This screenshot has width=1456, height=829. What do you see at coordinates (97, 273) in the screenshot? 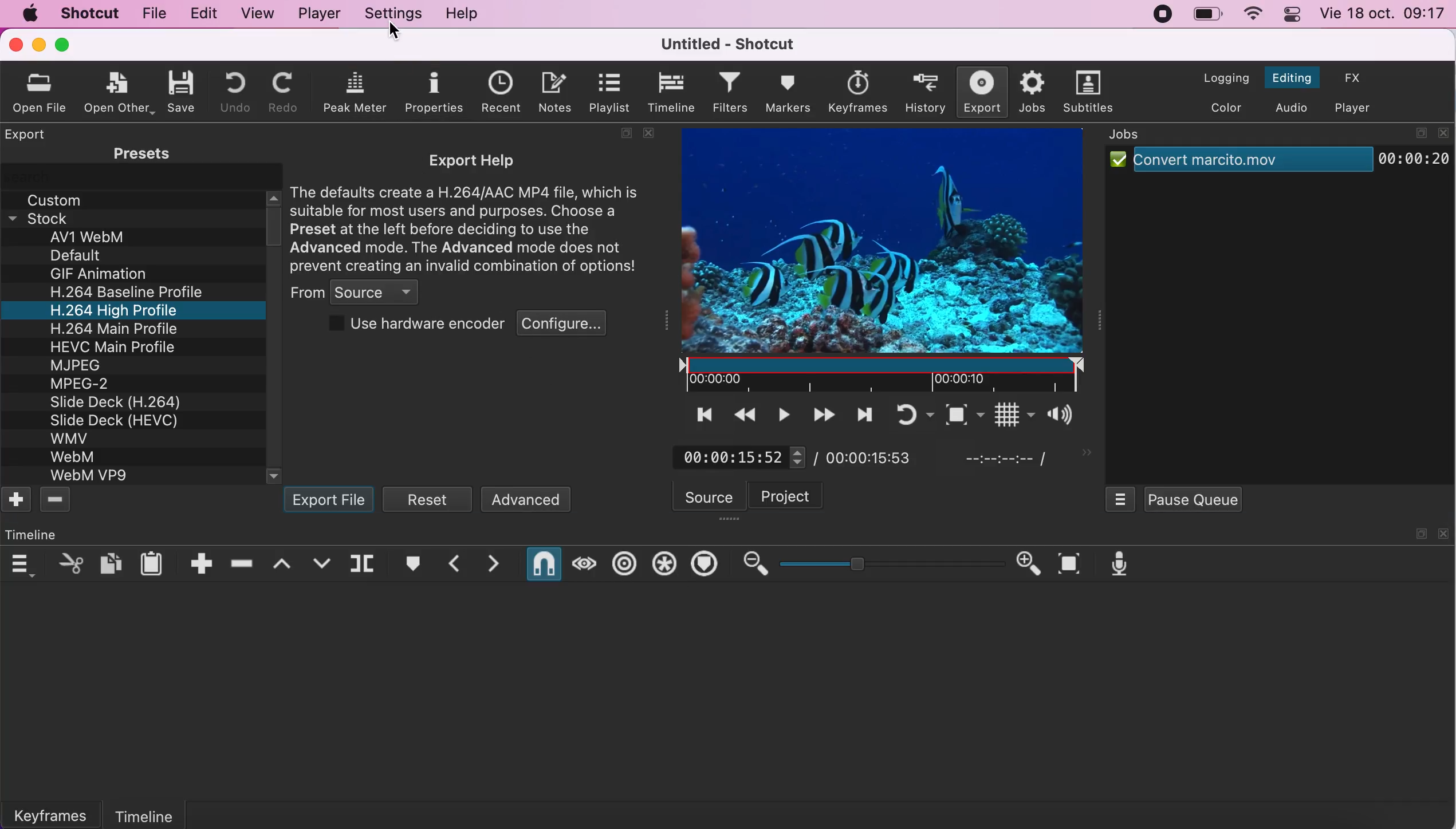
I see `GIF Animation` at bounding box center [97, 273].